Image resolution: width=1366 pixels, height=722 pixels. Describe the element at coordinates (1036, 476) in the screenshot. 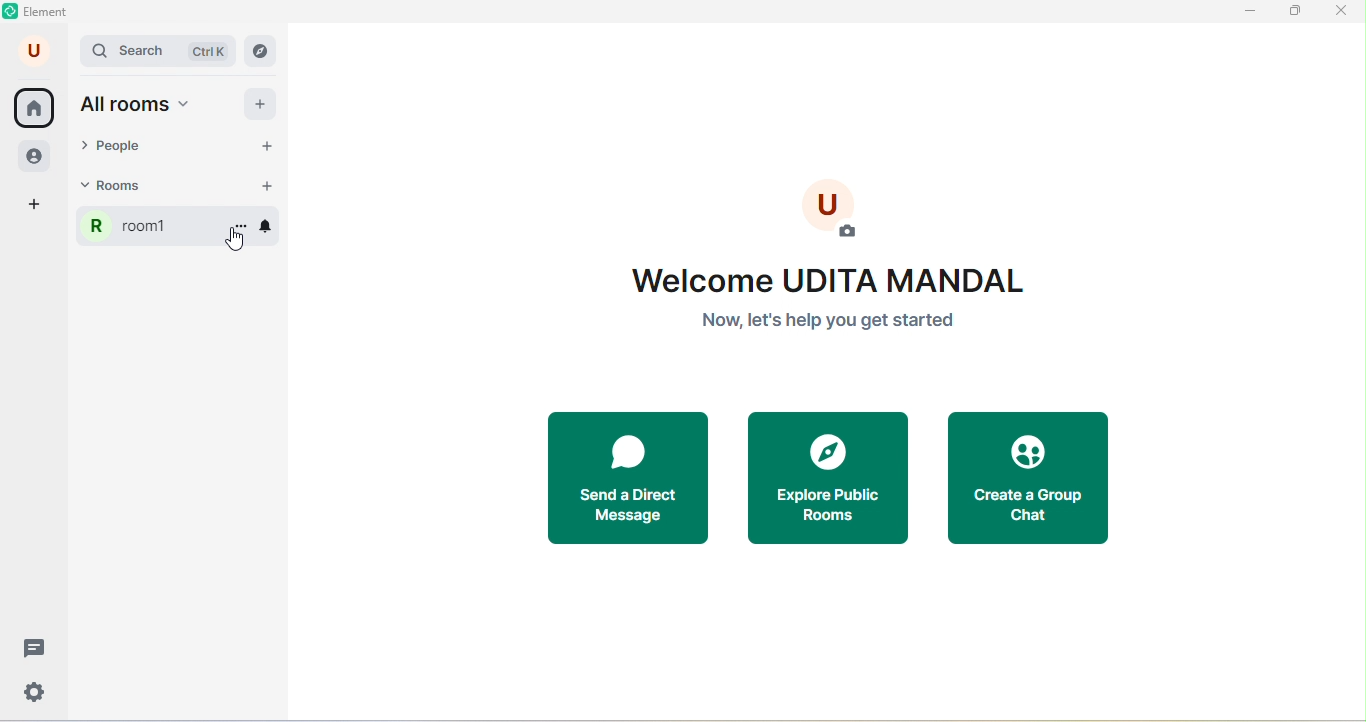

I see `create a group chat` at that location.